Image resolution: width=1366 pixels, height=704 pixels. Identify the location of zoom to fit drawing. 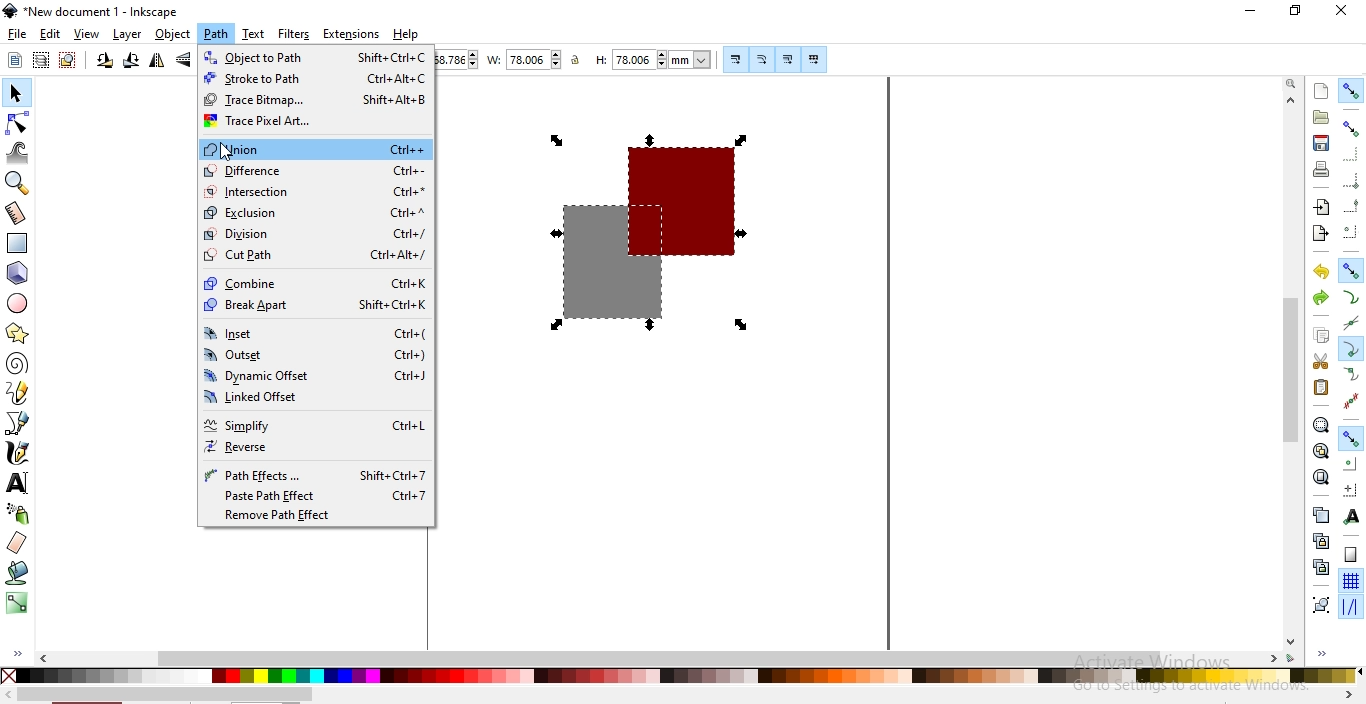
(1320, 450).